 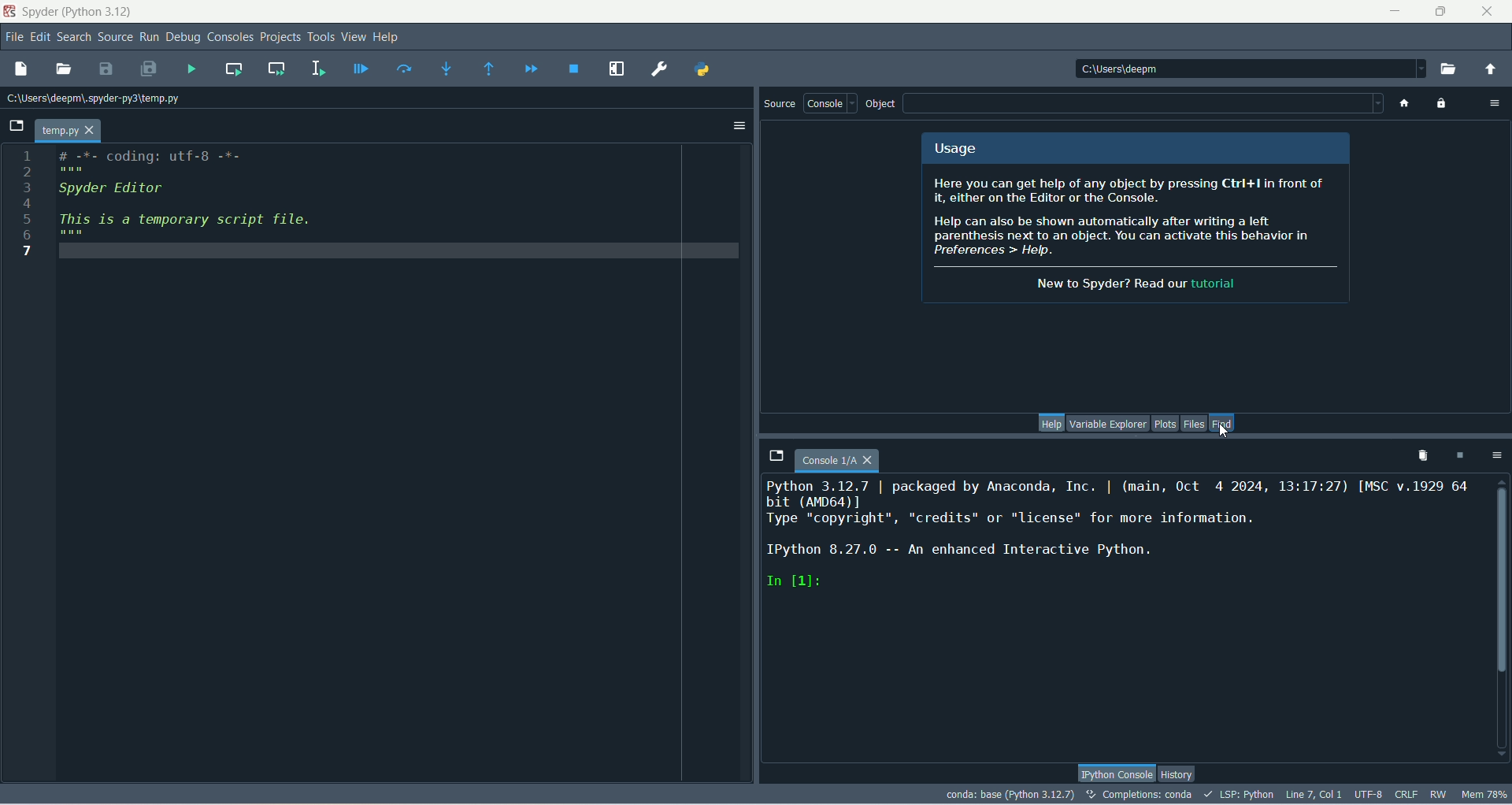 I want to click on preferences, so click(x=661, y=70).